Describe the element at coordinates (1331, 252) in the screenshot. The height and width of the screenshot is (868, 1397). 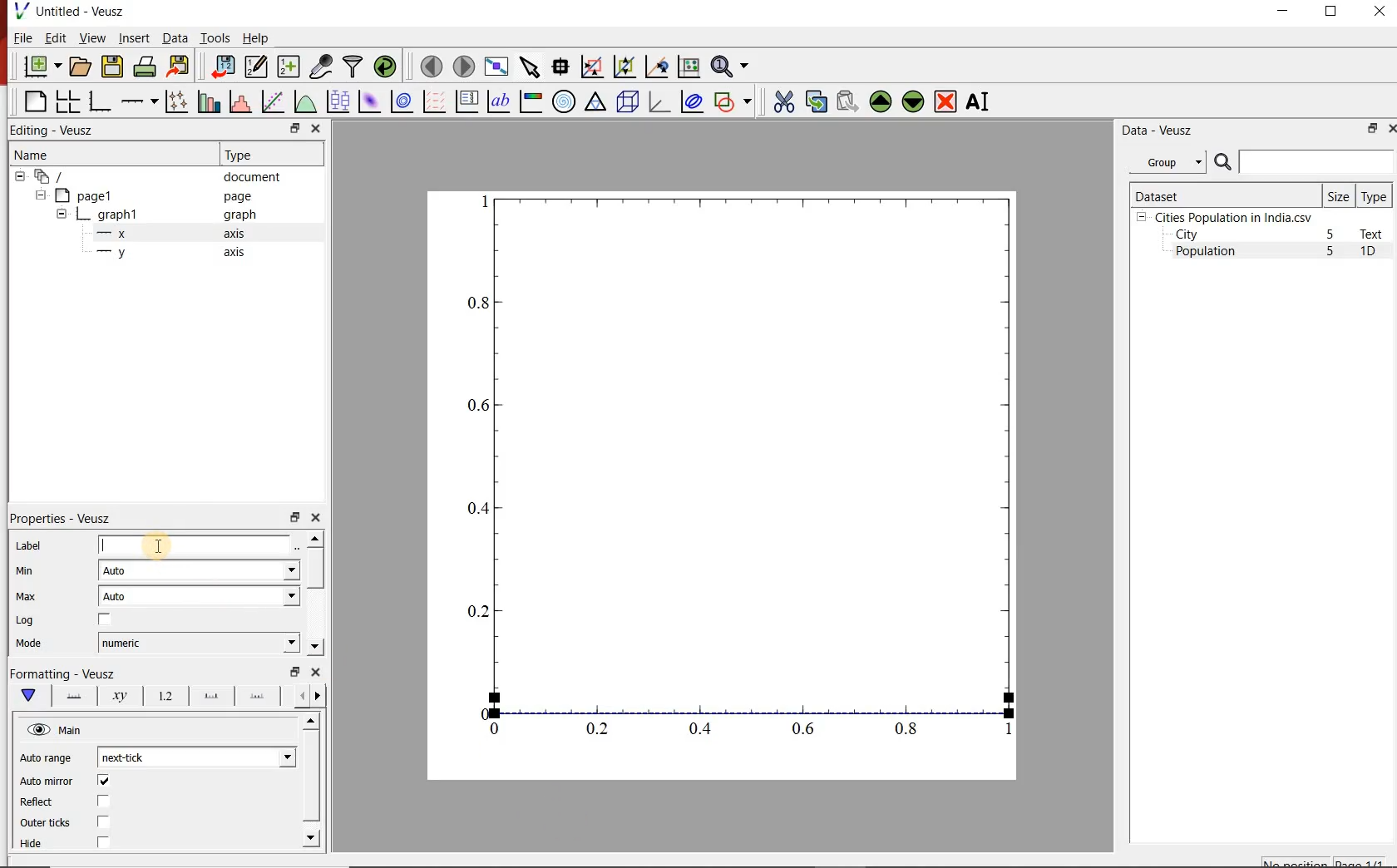
I see `5` at that location.